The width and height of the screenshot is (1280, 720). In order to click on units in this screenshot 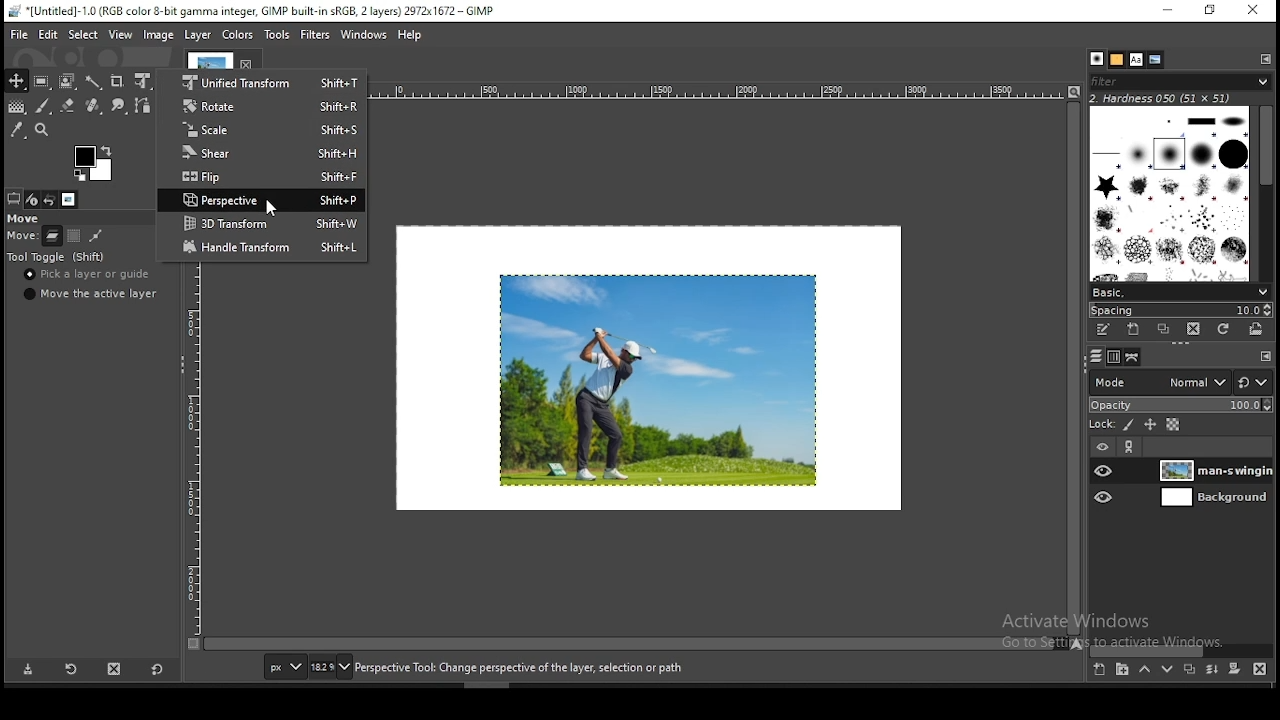, I will do `click(284, 667)`.